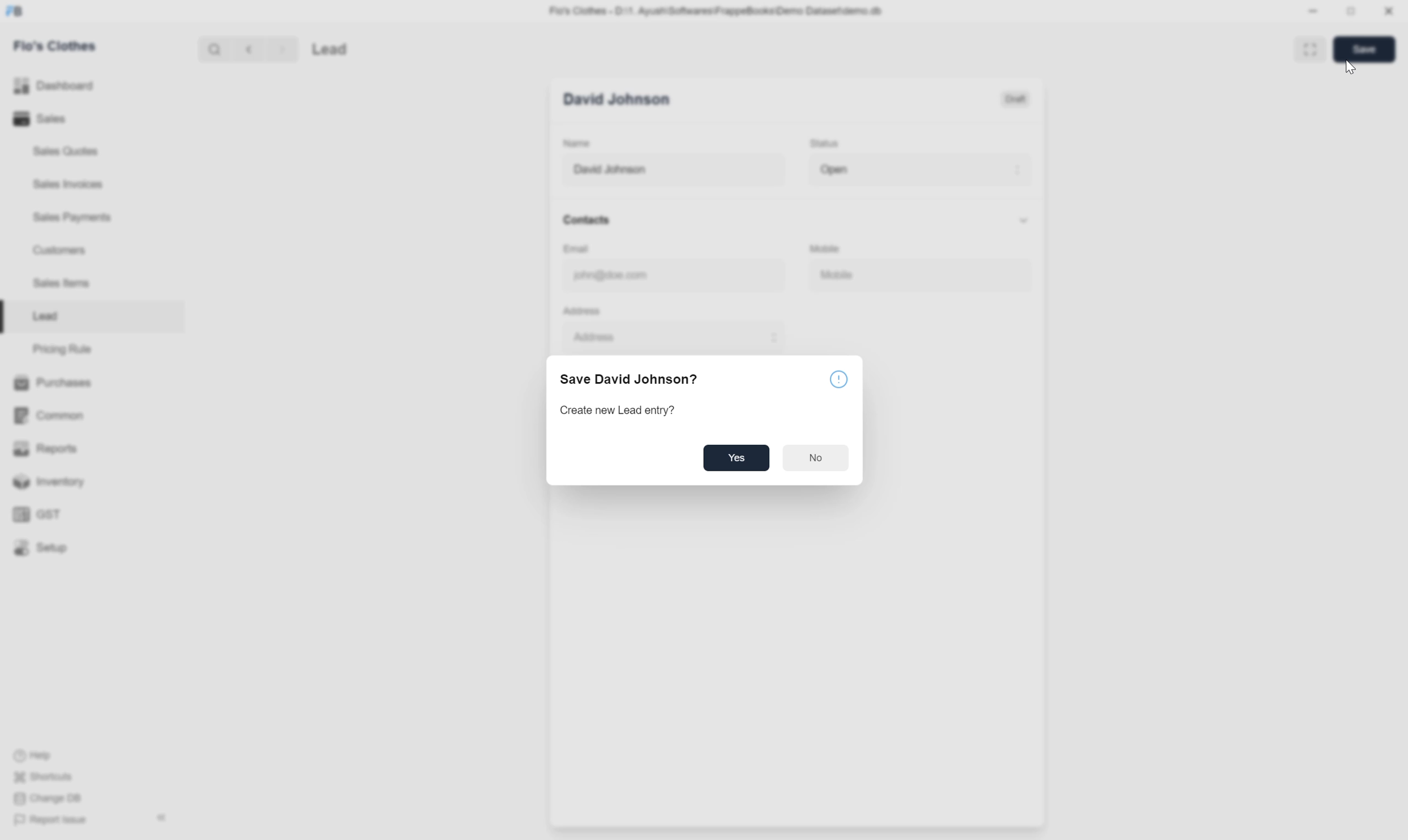 This screenshot has height=840, width=1408. I want to click on Sales Invoices, so click(71, 184).